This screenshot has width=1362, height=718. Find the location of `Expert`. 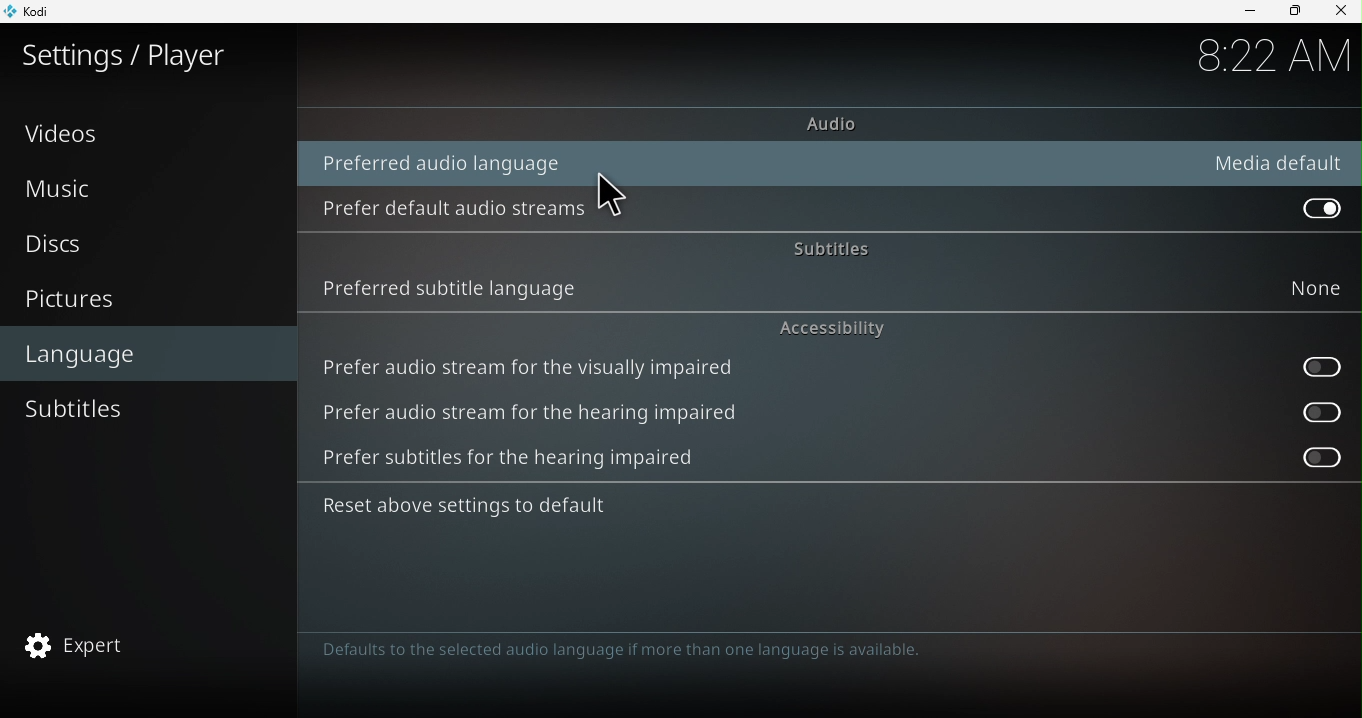

Expert is located at coordinates (142, 647).